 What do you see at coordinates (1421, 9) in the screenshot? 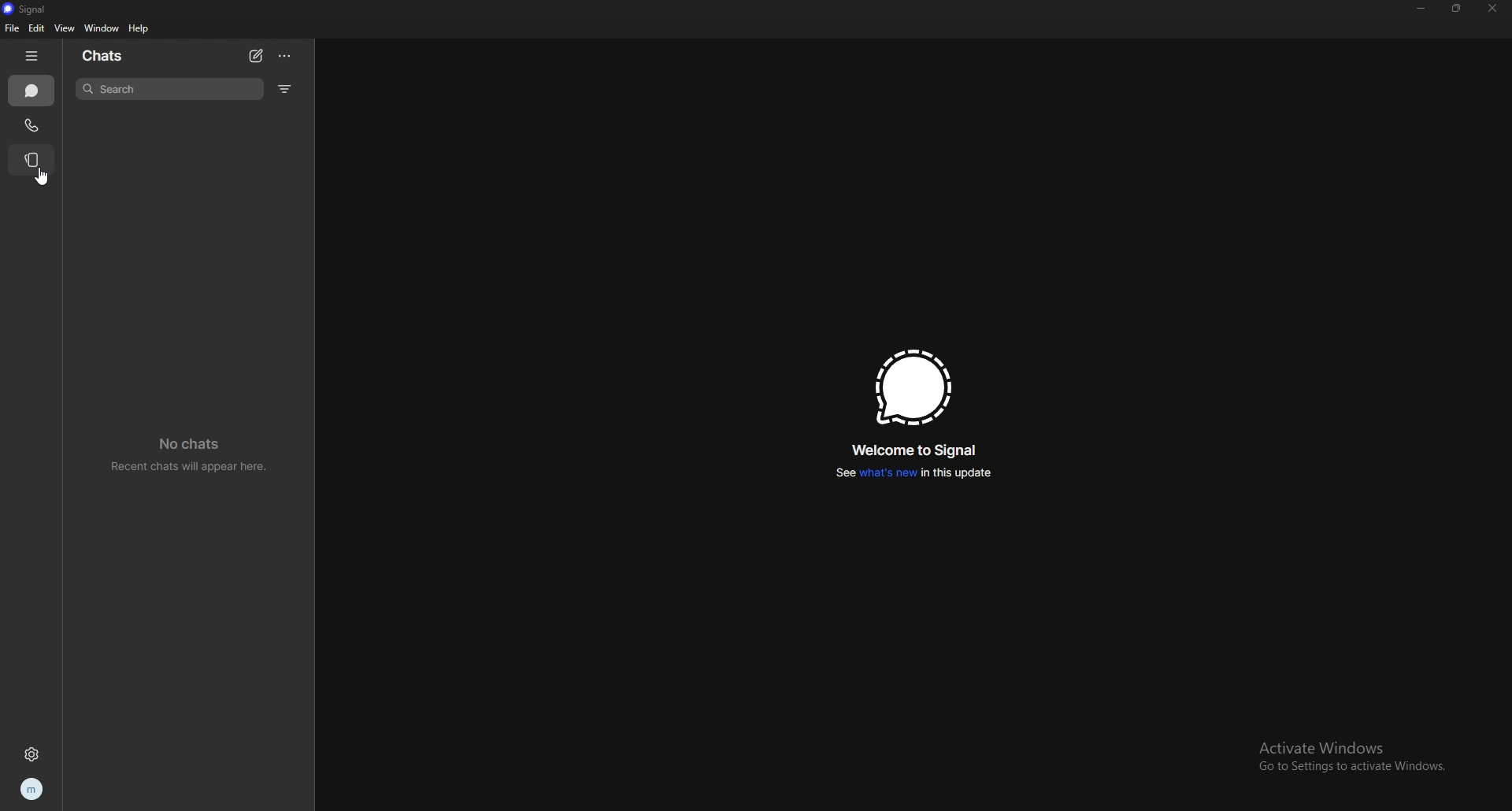
I see `minimize` at bounding box center [1421, 9].